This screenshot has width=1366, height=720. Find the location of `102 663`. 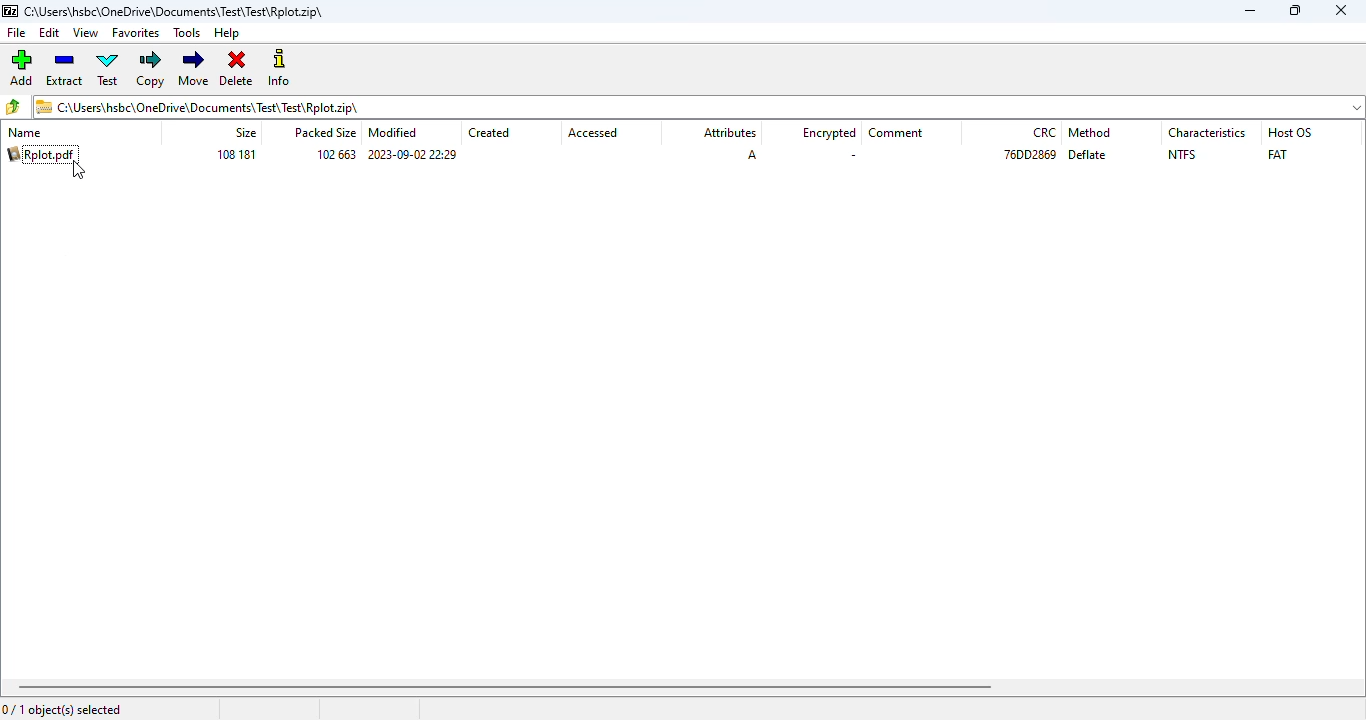

102 663 is located at coordinates (334, 154).